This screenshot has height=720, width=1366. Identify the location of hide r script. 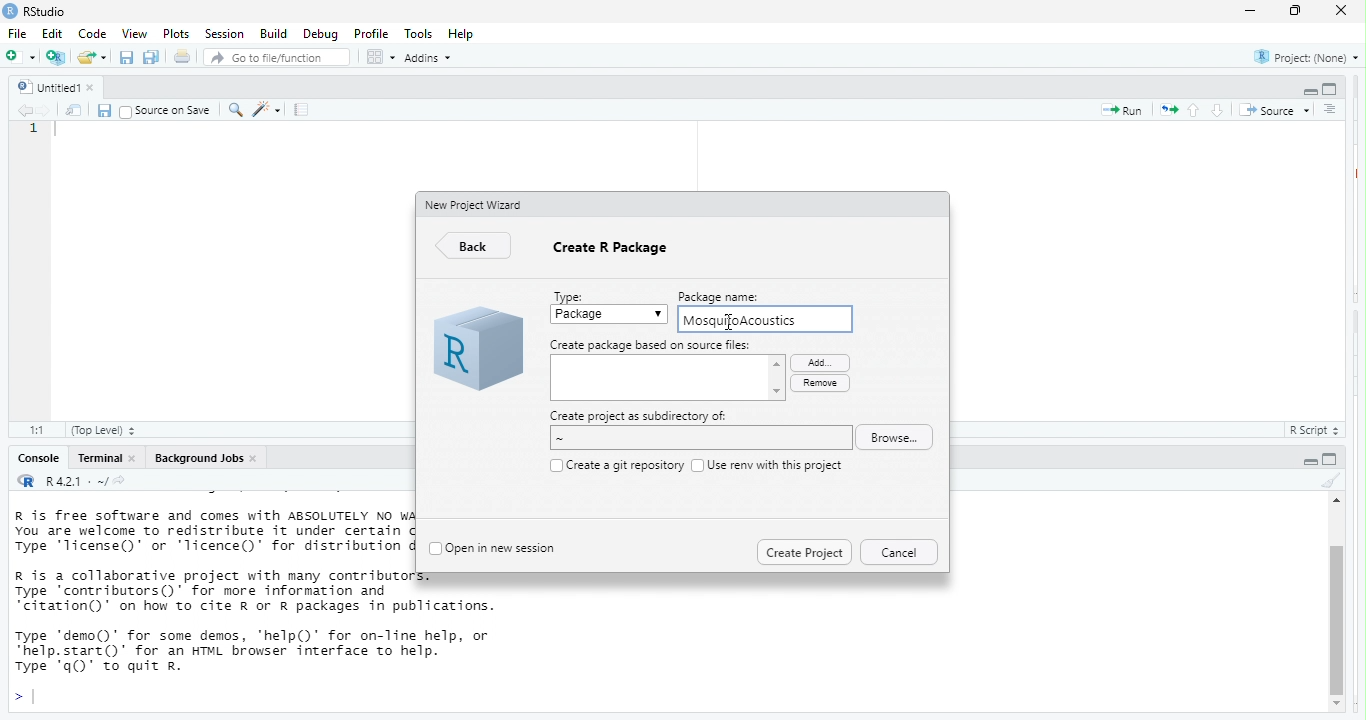
(1305, 461).